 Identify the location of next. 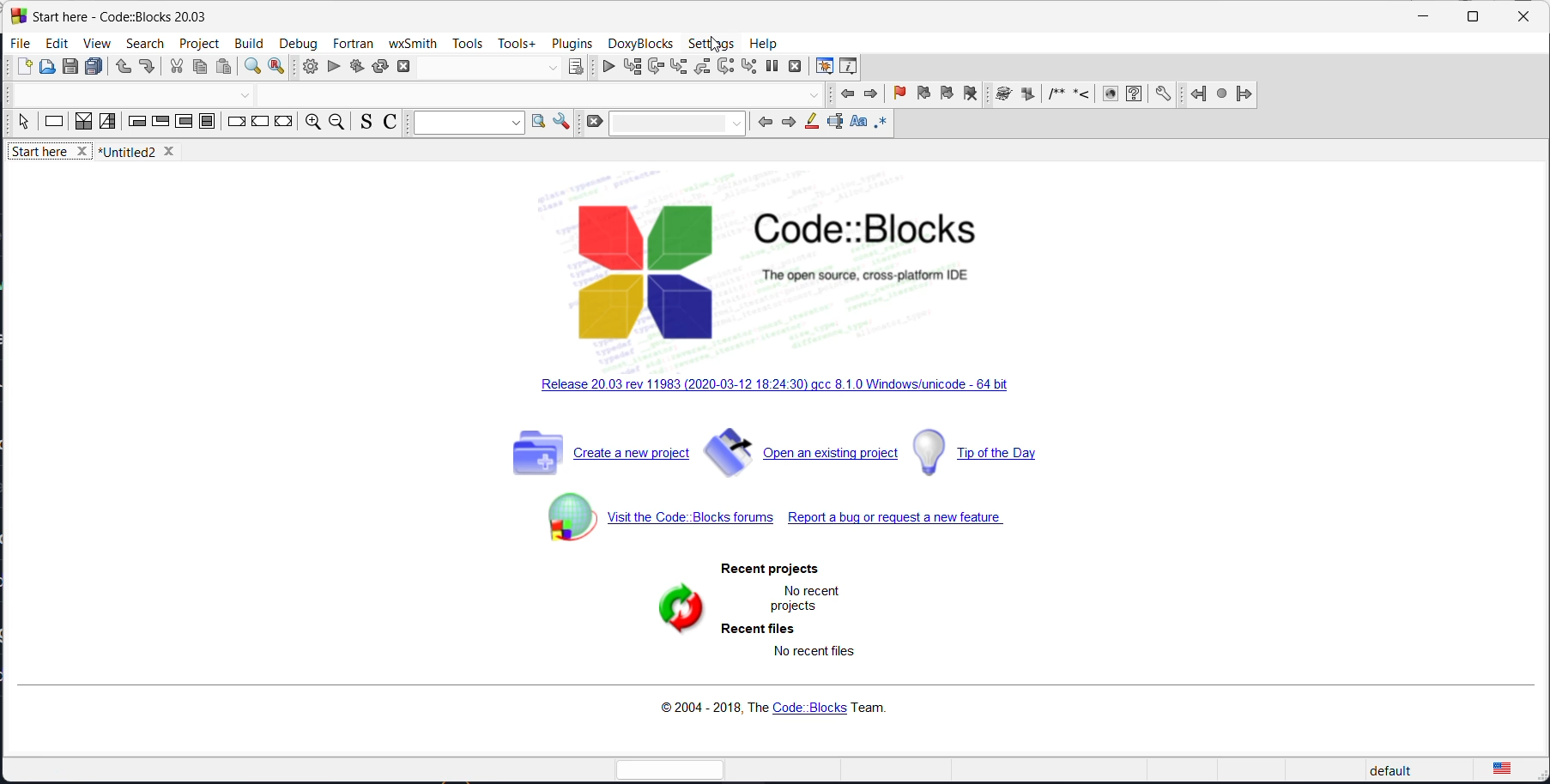
(871, 94).